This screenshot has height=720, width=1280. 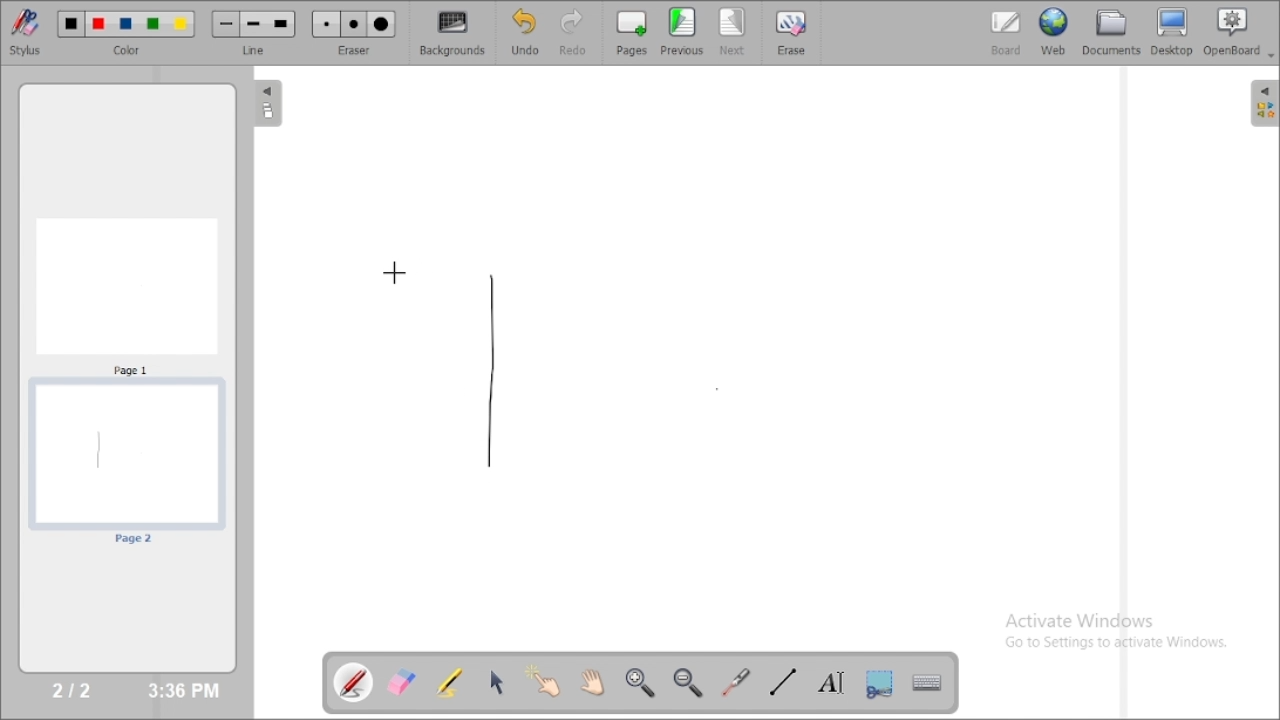 I want to click on pages, so click(x=632, y=32).